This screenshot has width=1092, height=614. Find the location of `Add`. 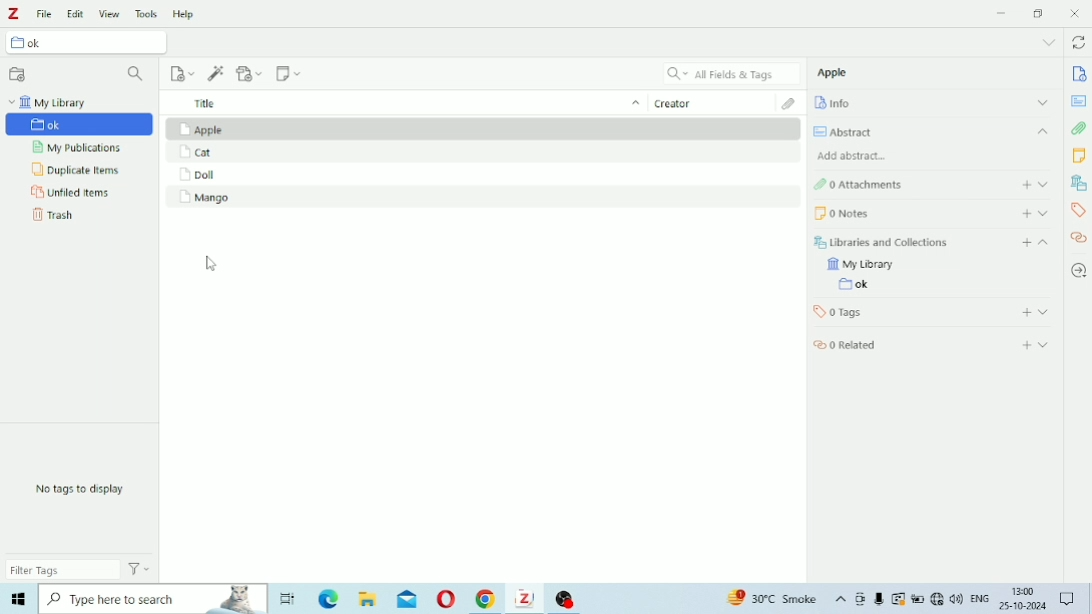

Add is located at coordinates (1027, 312).